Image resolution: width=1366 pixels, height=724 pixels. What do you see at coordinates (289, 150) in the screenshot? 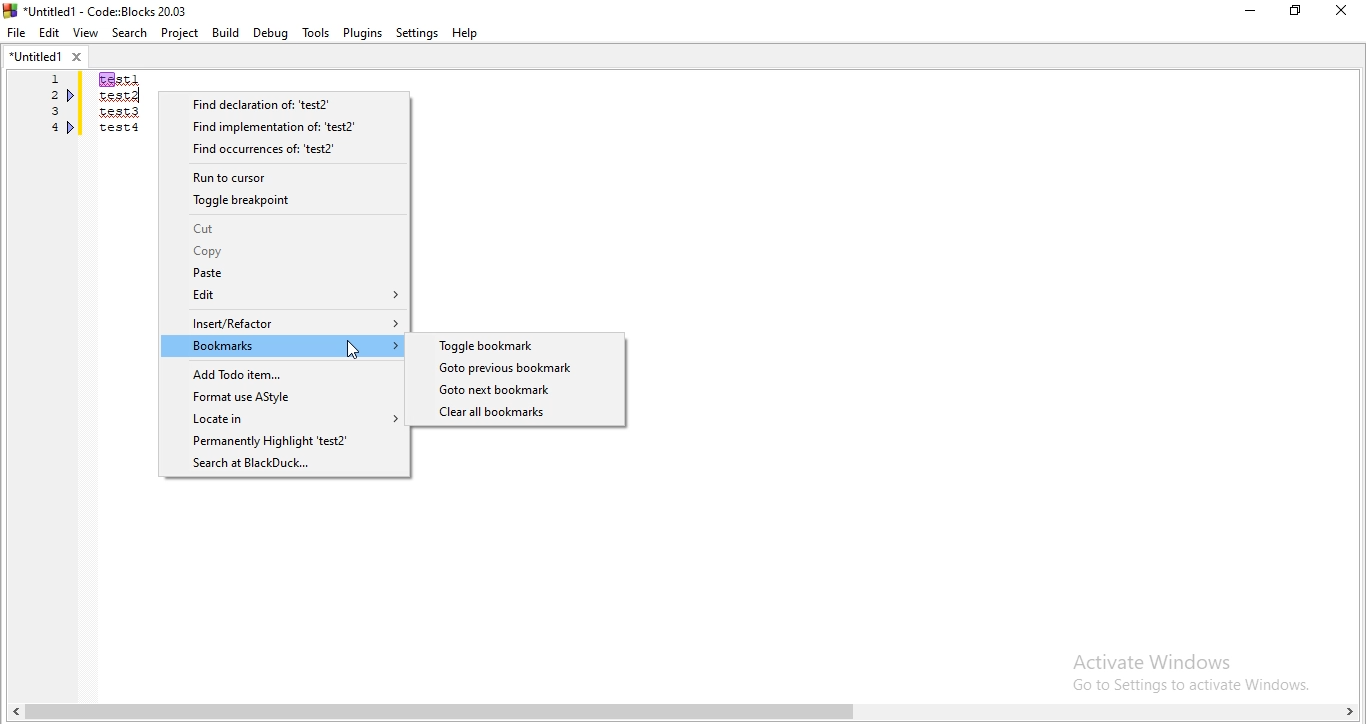
I see `Find occurrences of: 'test2'` at bounding box center [289, 150].